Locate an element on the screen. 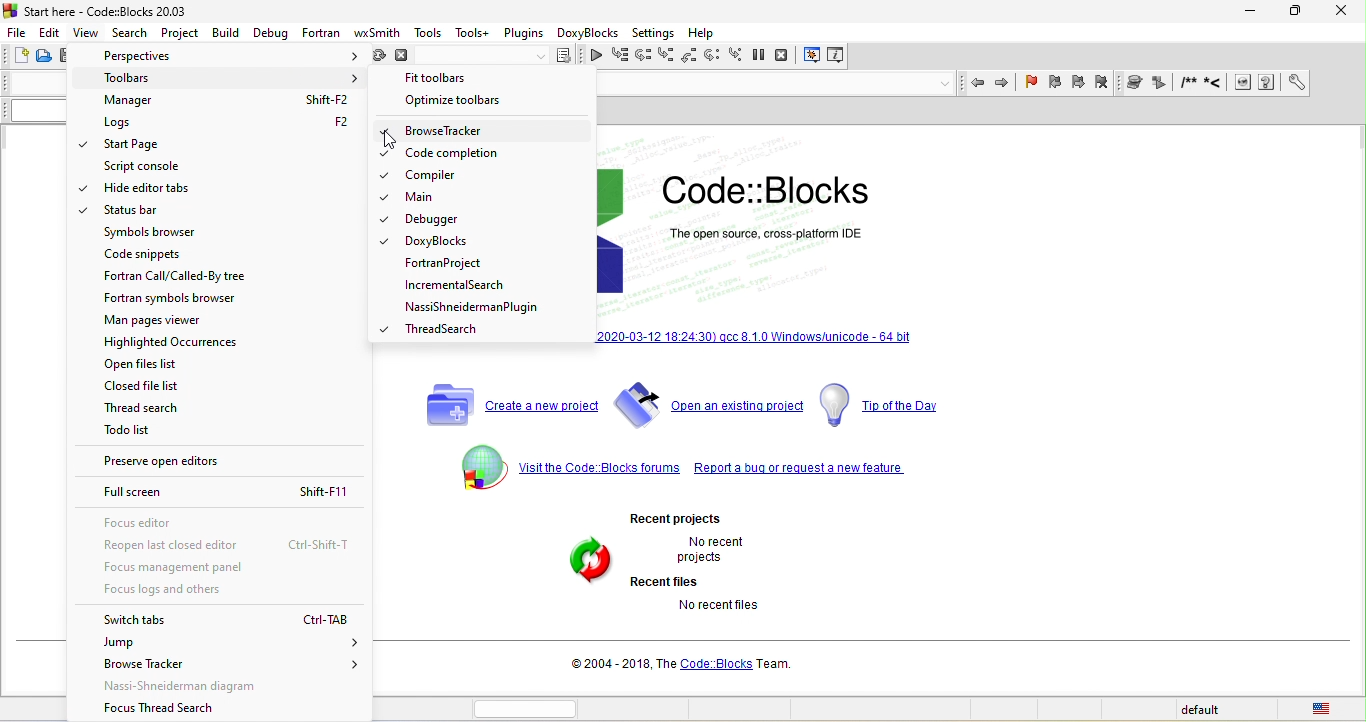 The width and height of the screenshot is (1366, 722). focus thread search is located at coordinates (191, 710).